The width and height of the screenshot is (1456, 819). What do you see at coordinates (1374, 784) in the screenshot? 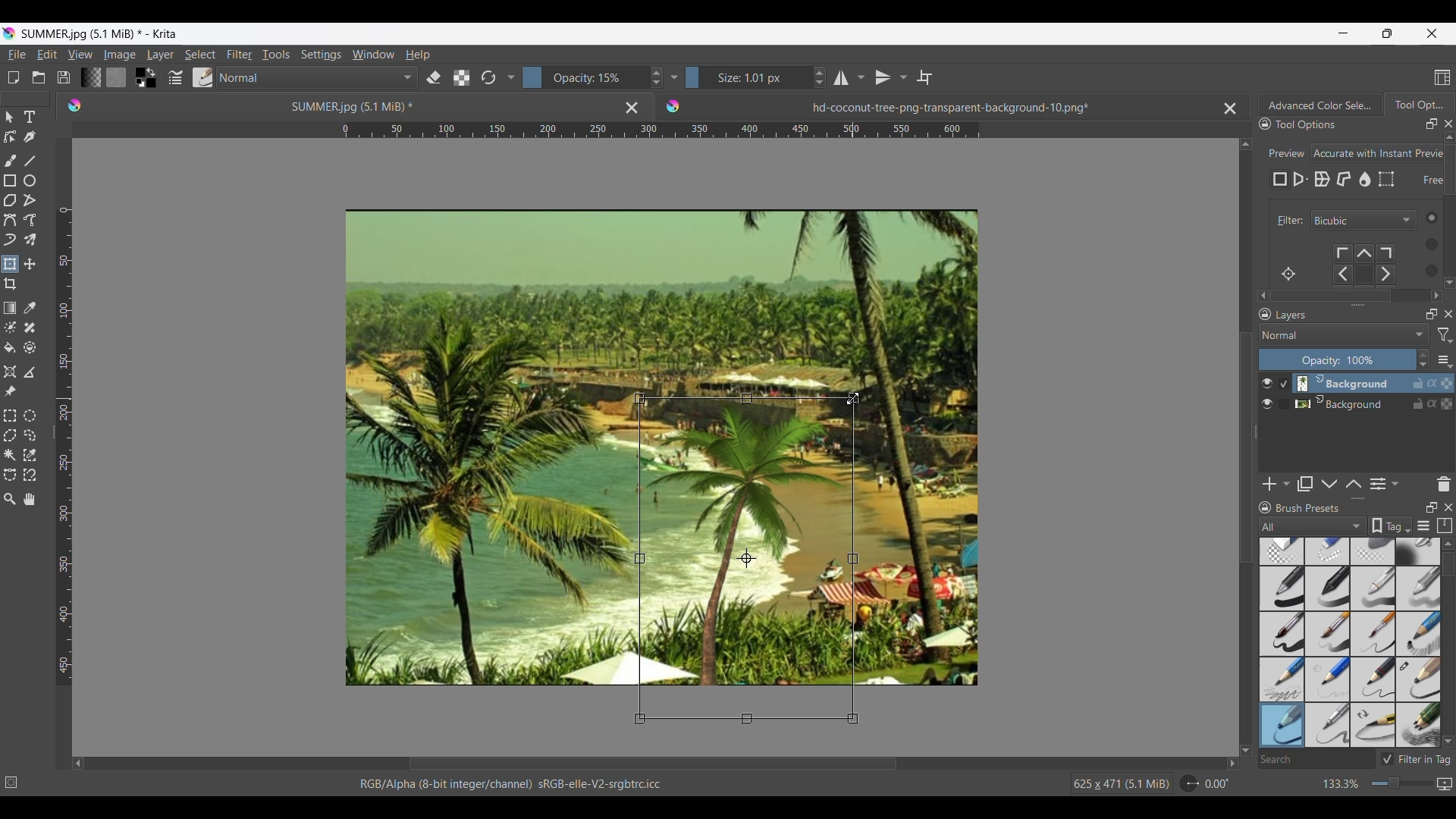
I see `Increase/Decrease canvas size` at bounding box center [1374, 784].